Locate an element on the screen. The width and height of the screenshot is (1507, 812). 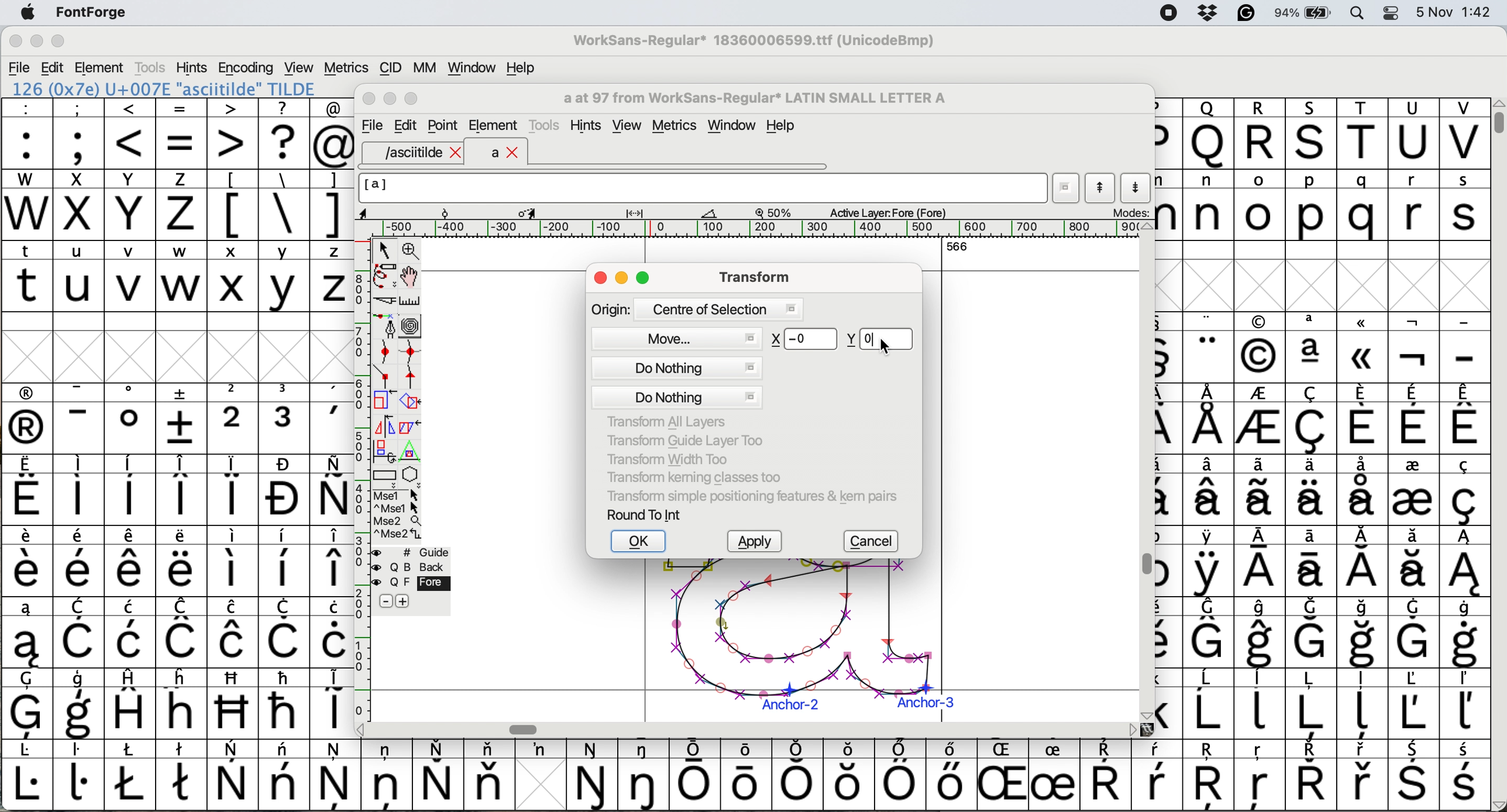
n is located at coordinates (1208, 204).